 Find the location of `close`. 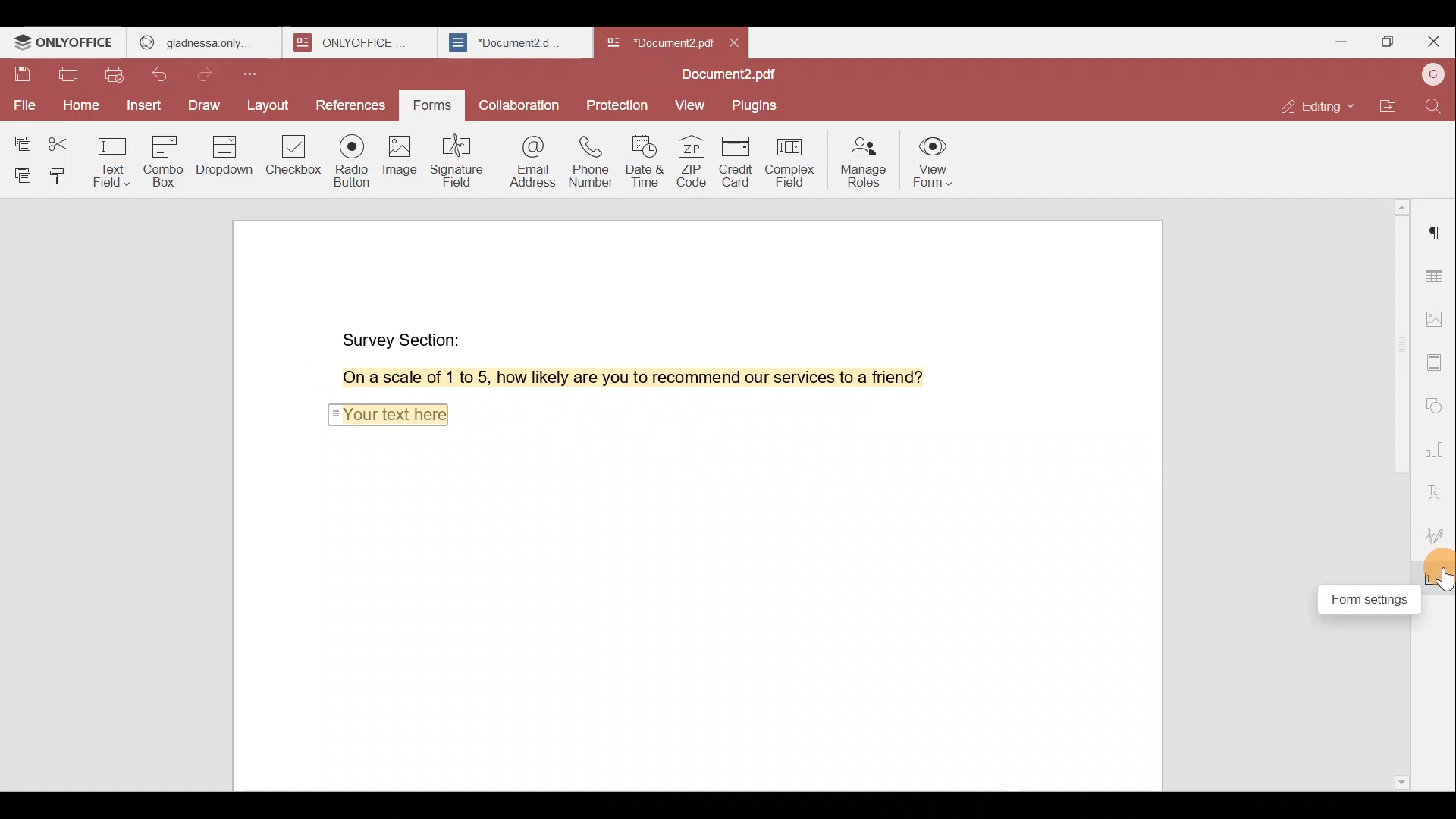

close is located at coordinates (734, 42).